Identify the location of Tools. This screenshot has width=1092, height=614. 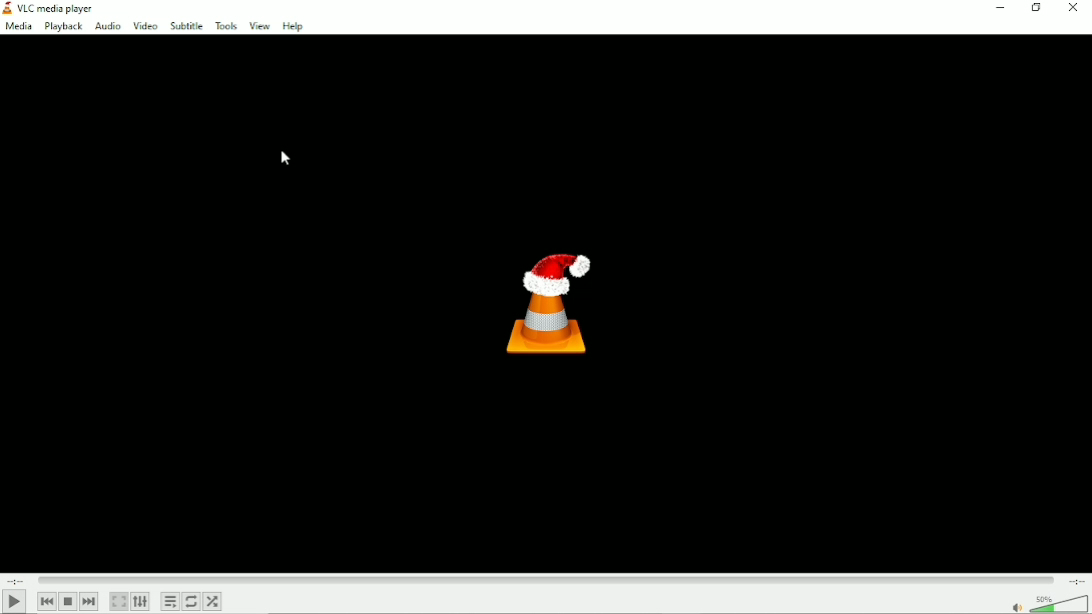
(226, 25).